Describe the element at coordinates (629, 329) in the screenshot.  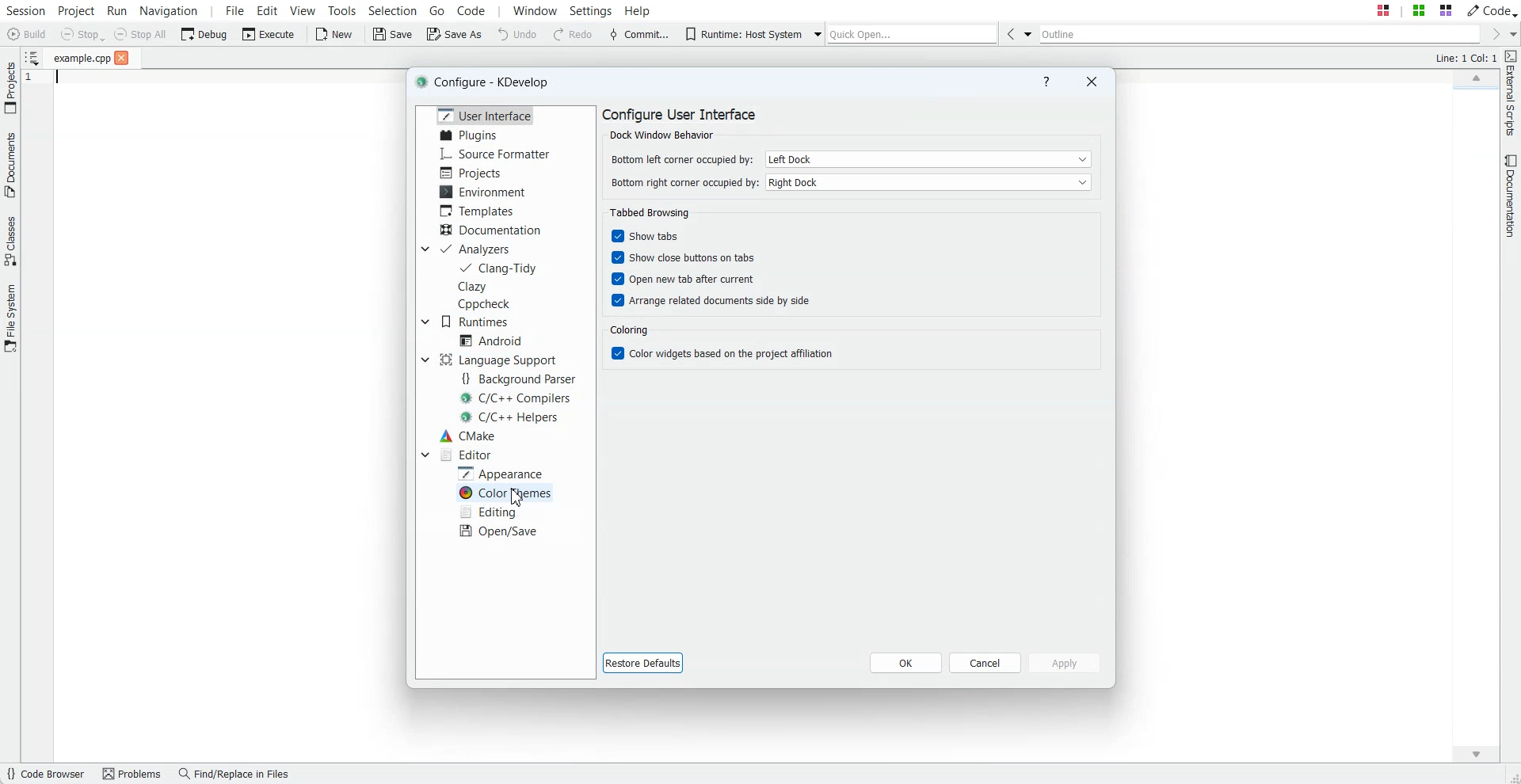
I see `Text` at that location.